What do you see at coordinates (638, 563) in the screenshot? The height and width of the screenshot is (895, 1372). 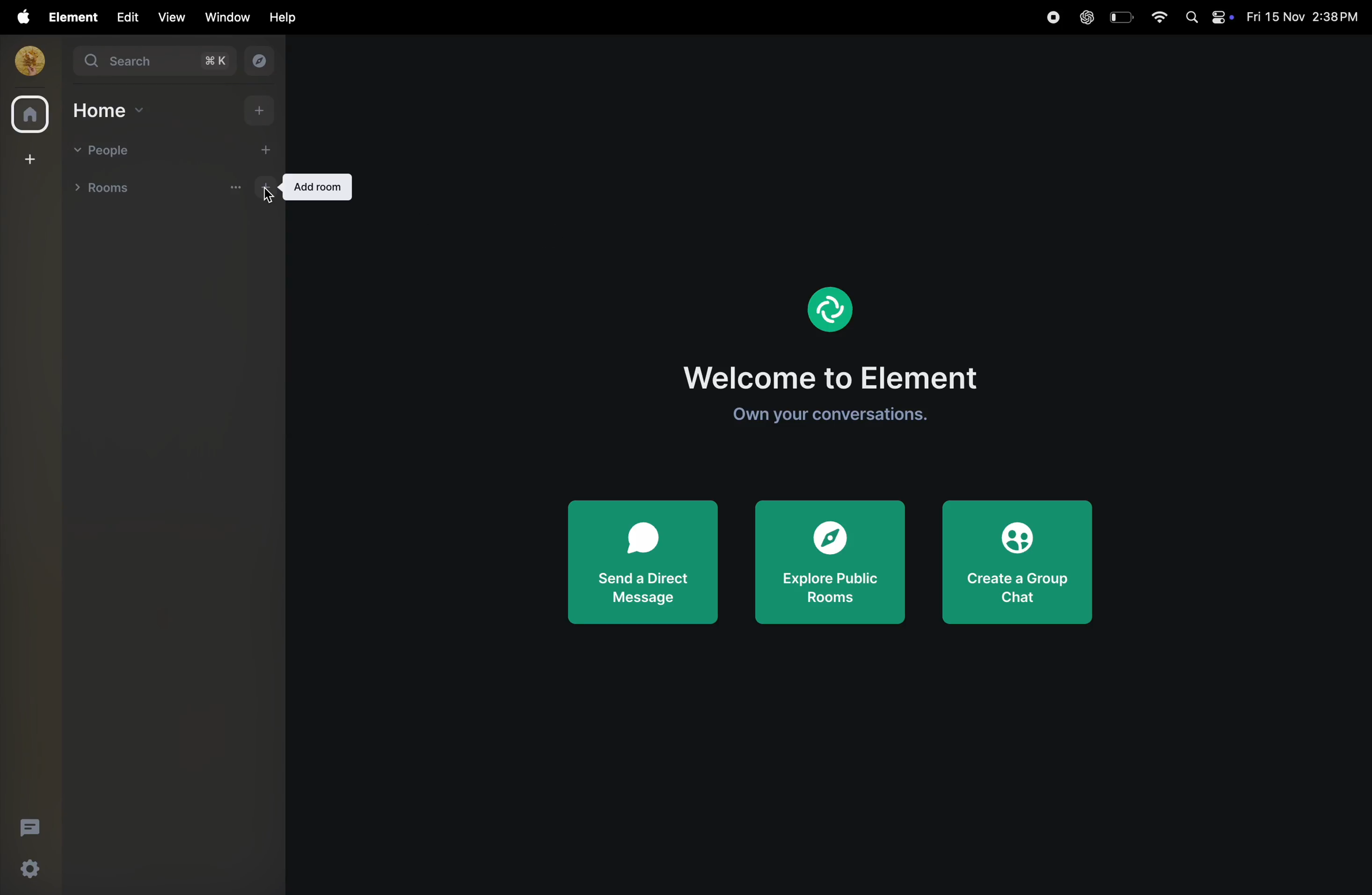 I see `send direct meassage` at bounding box center [638, 563].